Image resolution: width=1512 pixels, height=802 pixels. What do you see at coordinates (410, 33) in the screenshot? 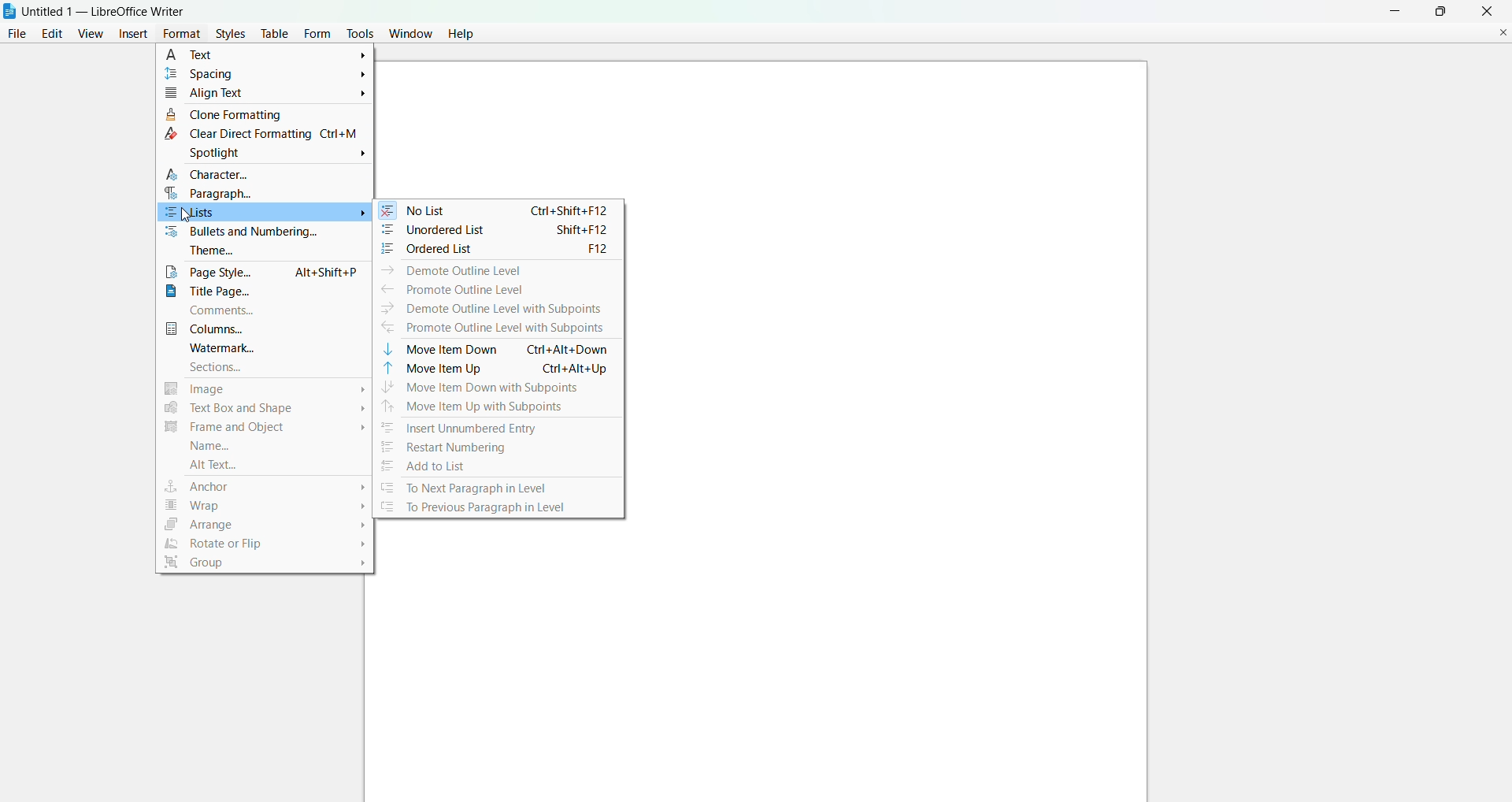
I see `window` at bounding box center [410, 33].